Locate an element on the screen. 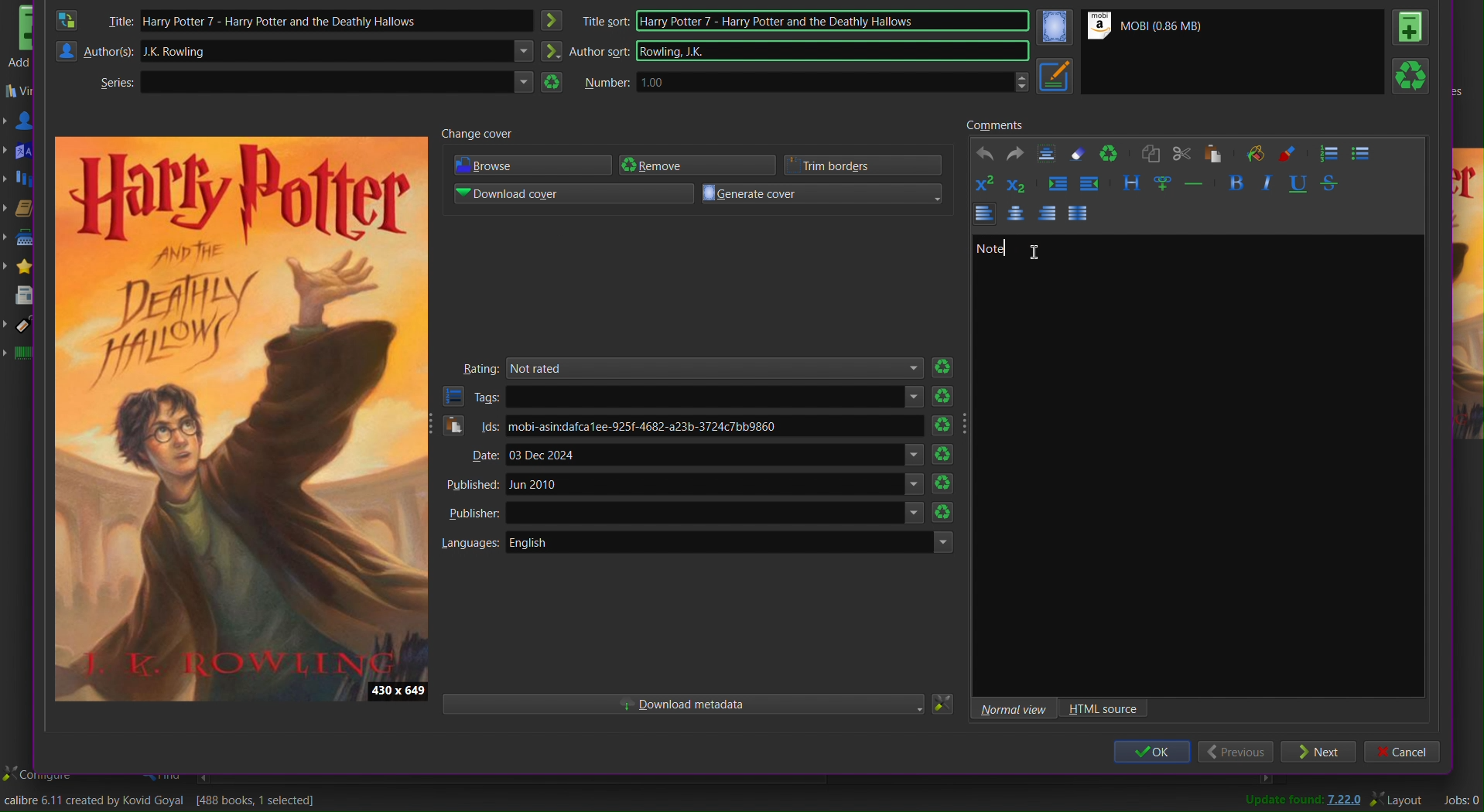  Text area is located at coordinates (356, 81).